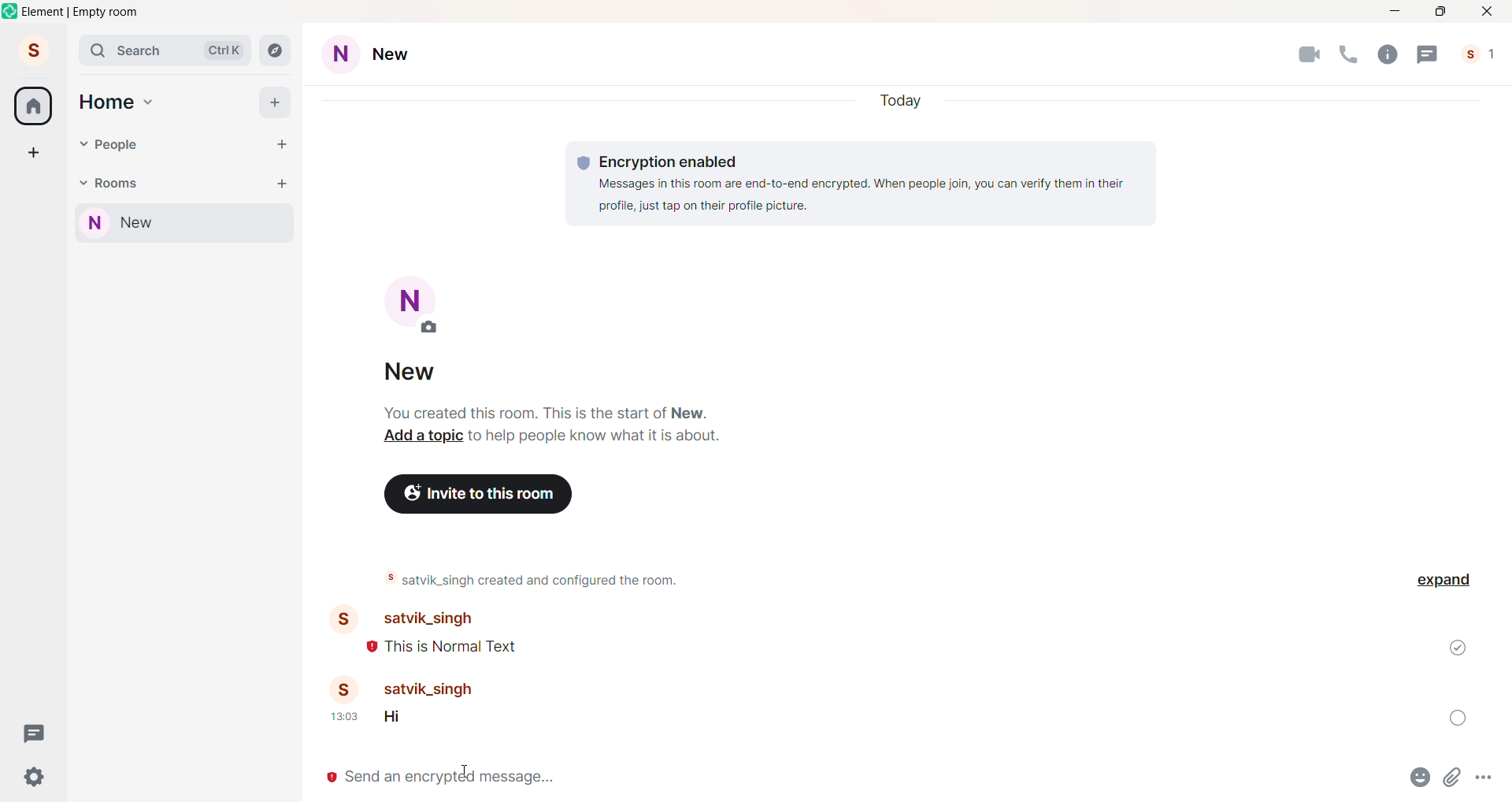 The height and width of the screenshot is (802, 1512). What do you see at coordinates (34, 152) in the screenshot?
I see `Create a Space` at bounding box center [34, 152].